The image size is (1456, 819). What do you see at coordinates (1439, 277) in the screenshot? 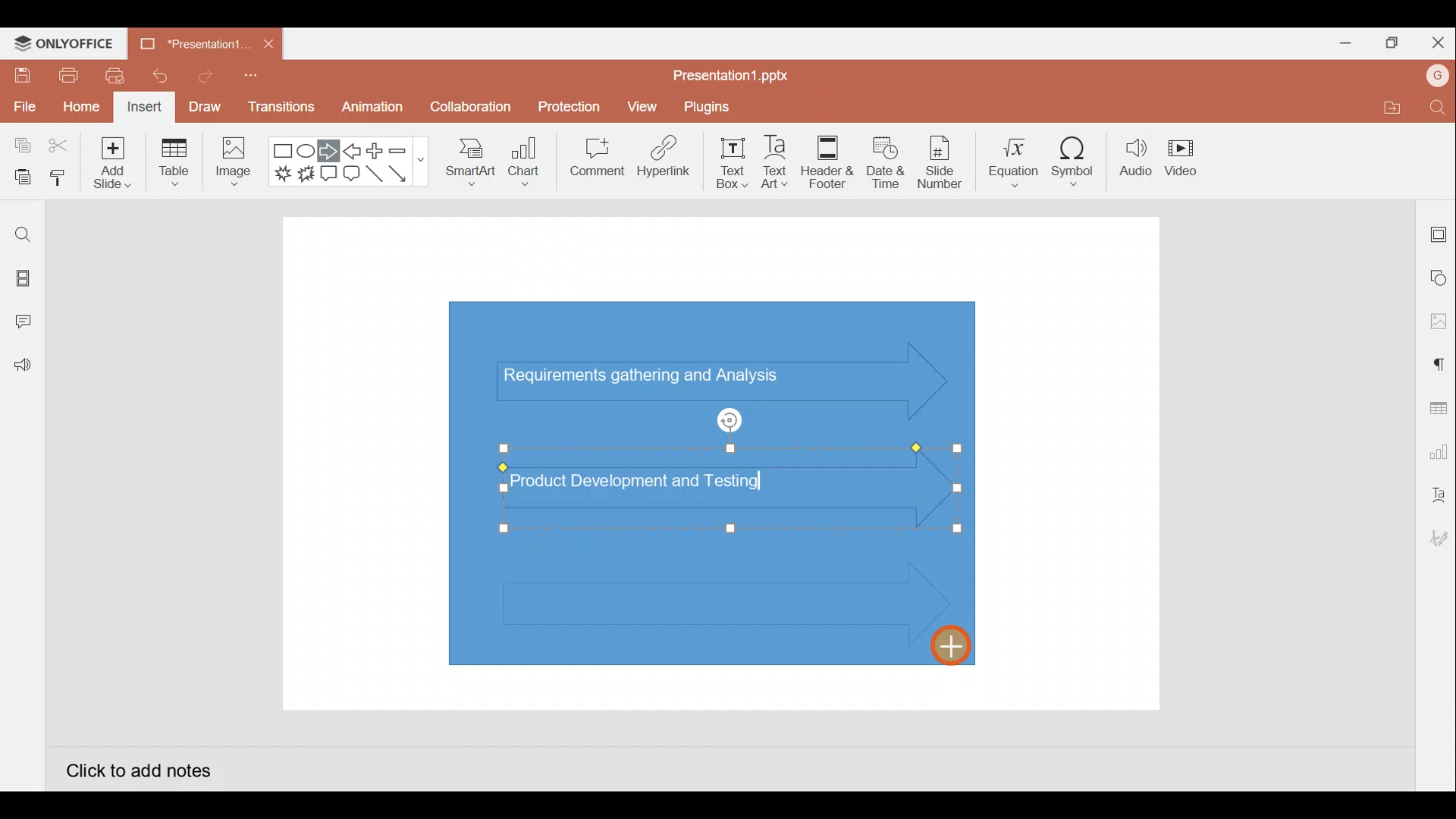
I see `Shape settings` at bounding box center [1439, 277].